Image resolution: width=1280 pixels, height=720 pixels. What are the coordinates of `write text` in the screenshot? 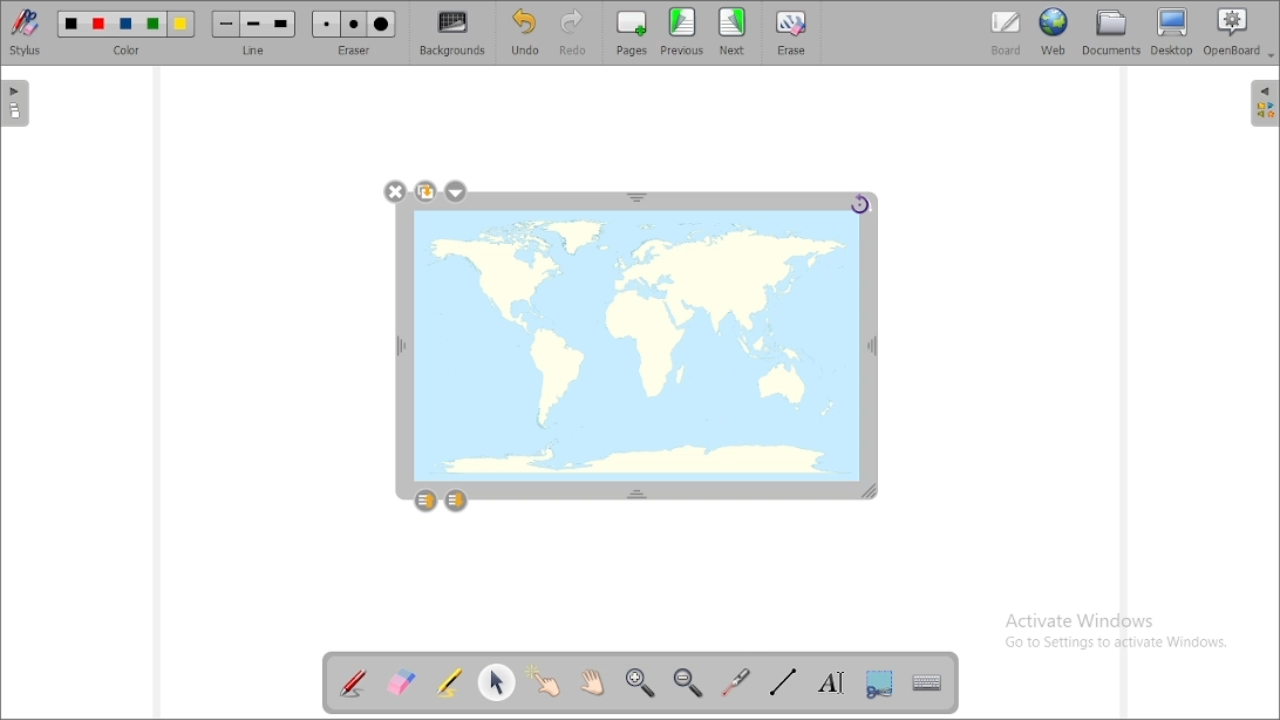 It's located at (832, 683).